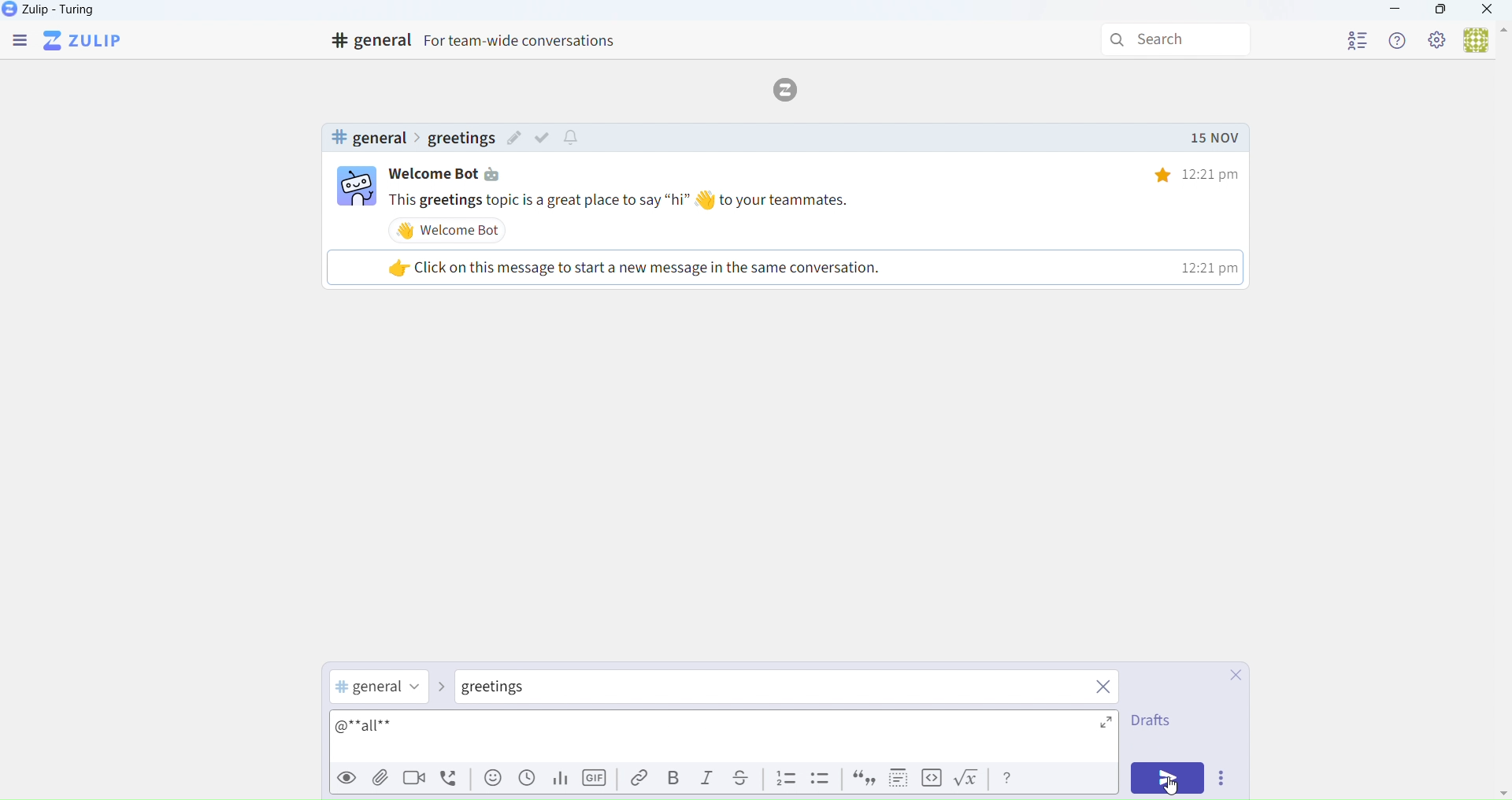 Image resolution: width=1512 pixels, height=800 pixels. I want to click on edit, so click(514, 140).